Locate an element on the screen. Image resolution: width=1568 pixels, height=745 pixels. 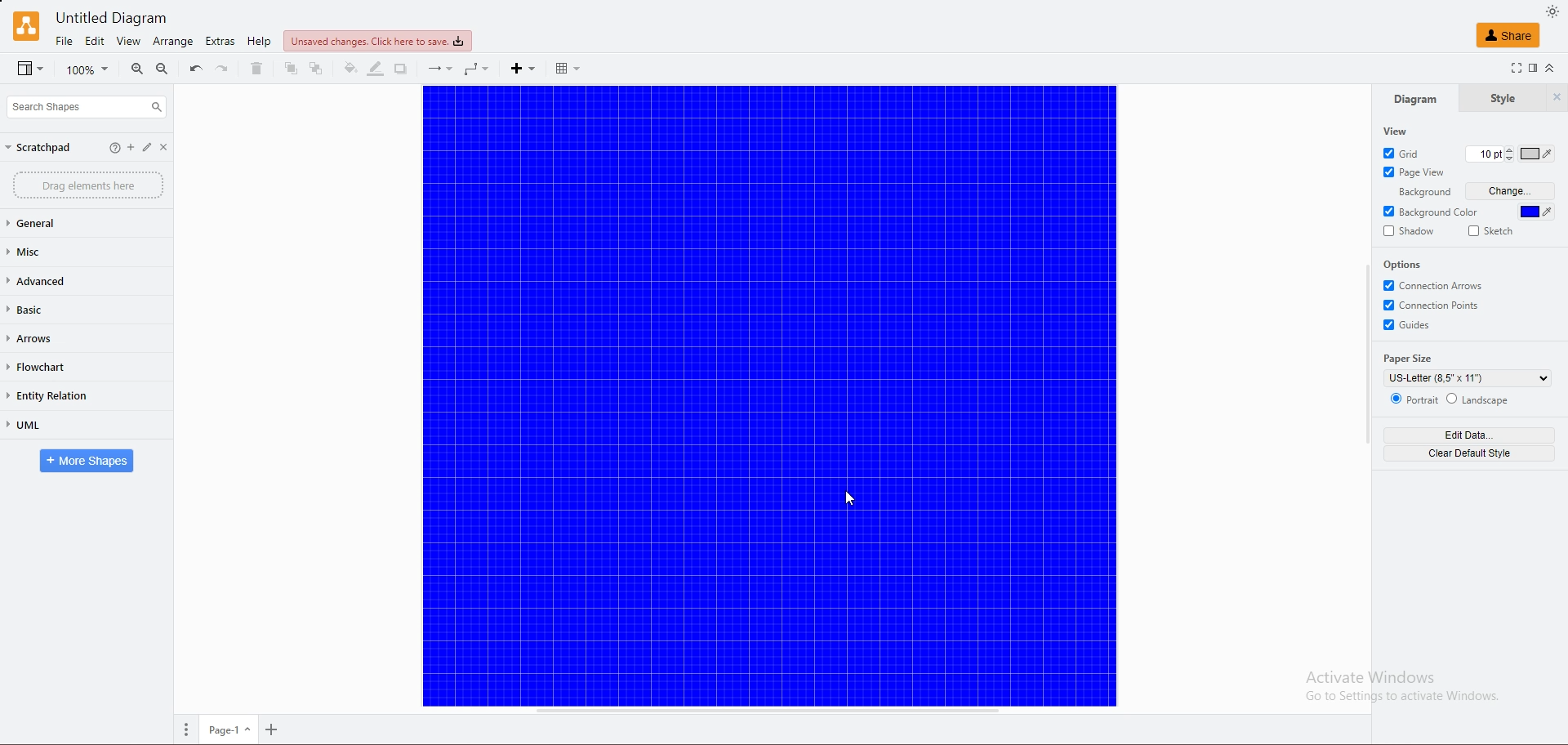
zoom in is located at coordinates (139, 69).